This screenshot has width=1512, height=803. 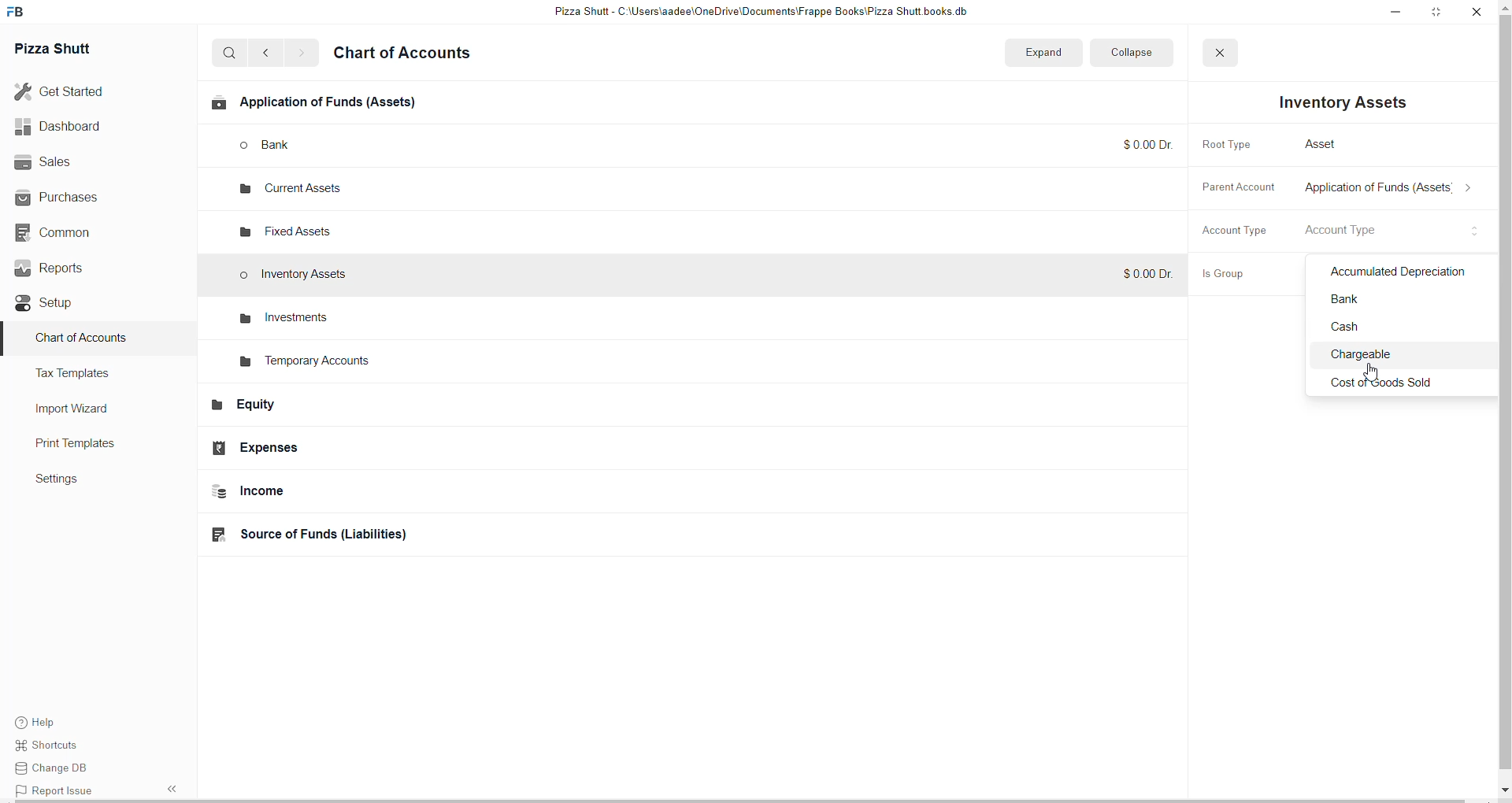 I want to click on Sales , so click(x=68, y=163).